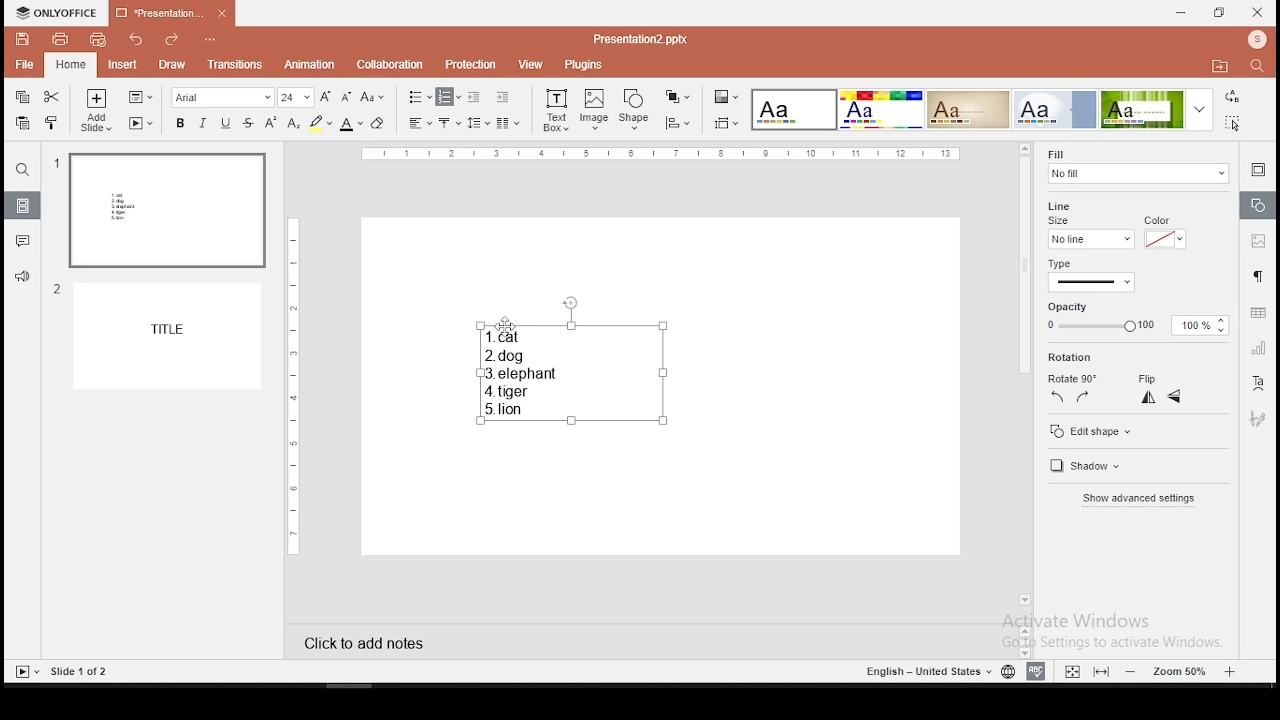 Image resolution: width=1280 pixels, height=720 pixels. I want to click on rotate 90 clockwise, so click(1082, 397).